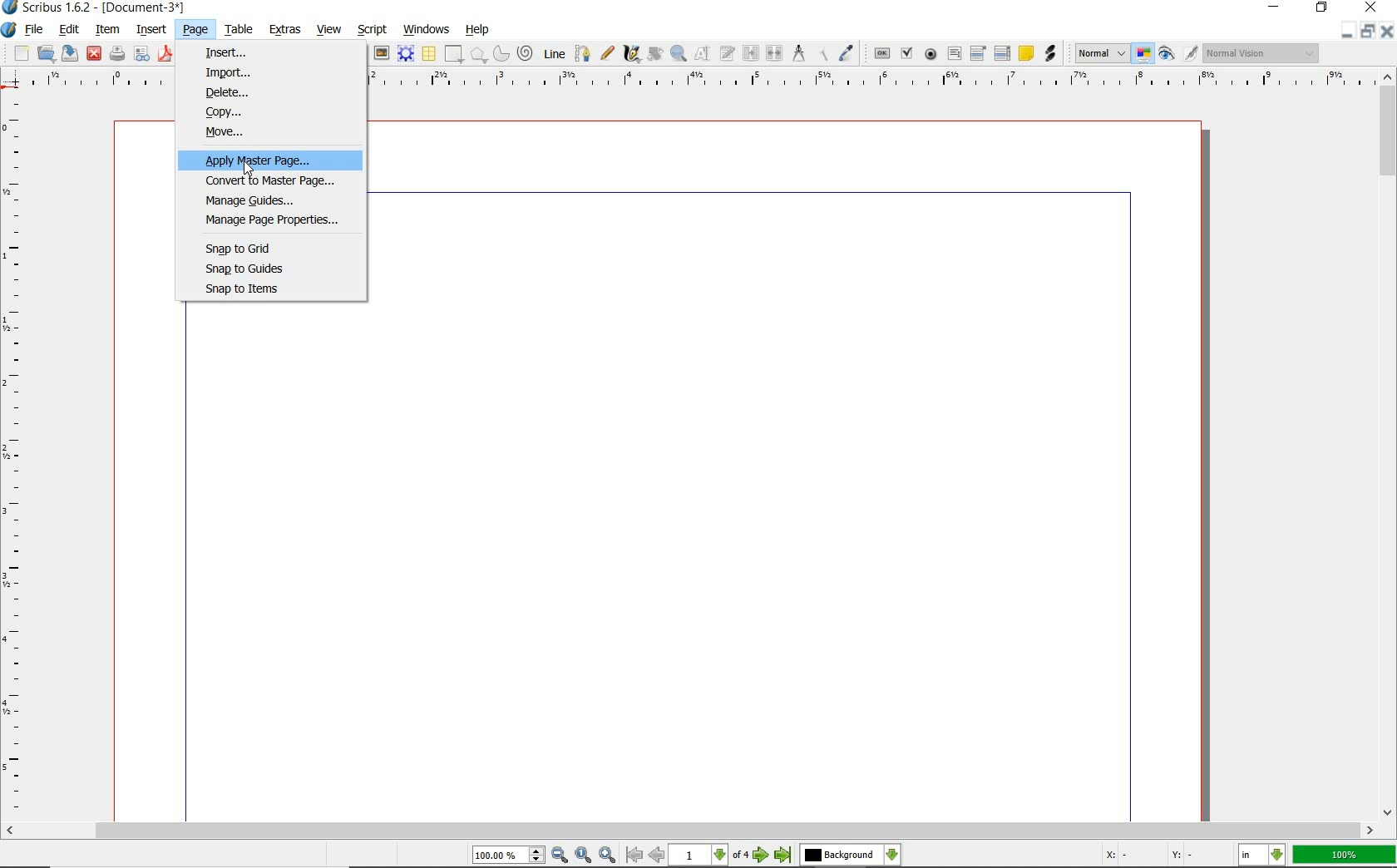  I want to click on scrollbar, so click(690, 831).